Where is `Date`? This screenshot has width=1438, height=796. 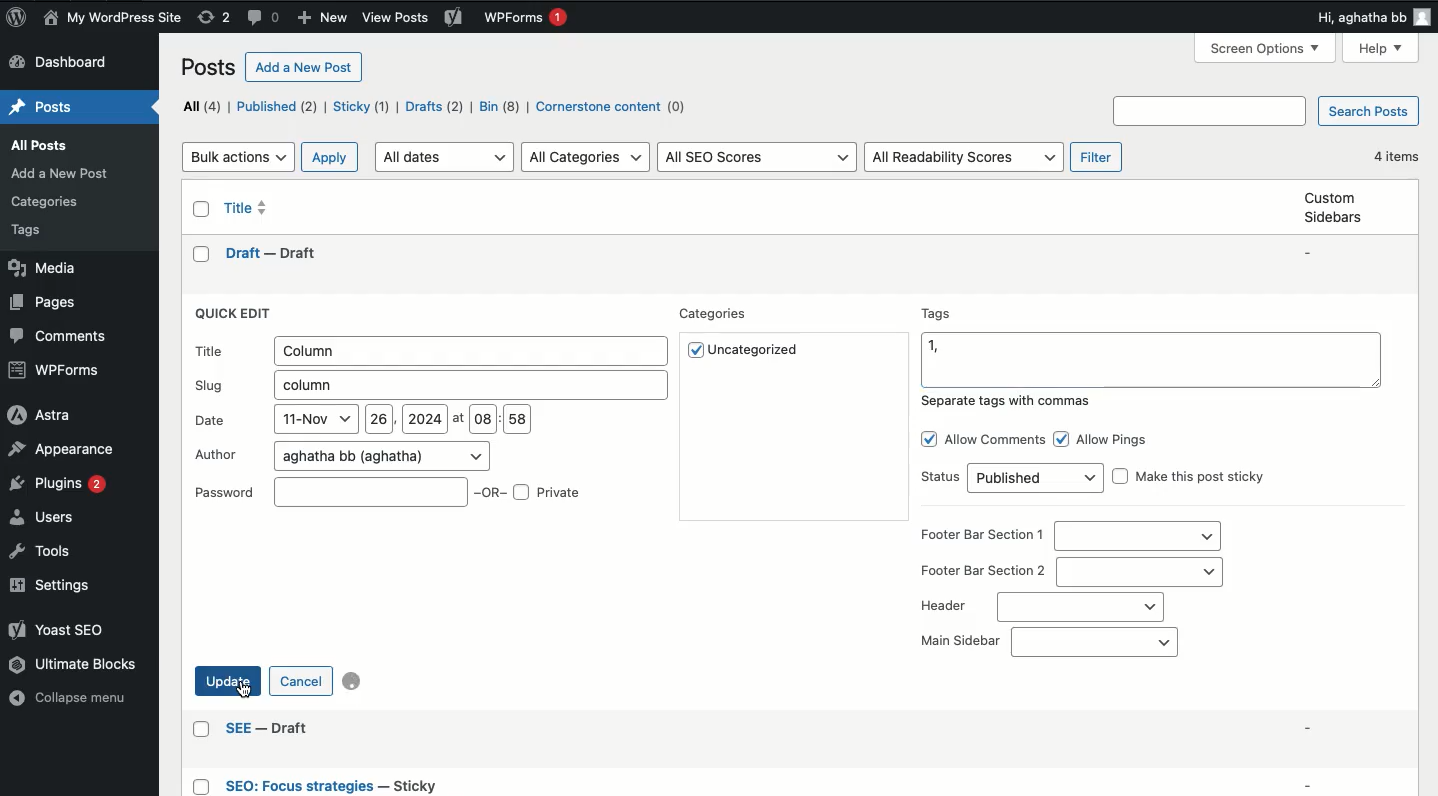
Date is located at coordinates (226, 420).